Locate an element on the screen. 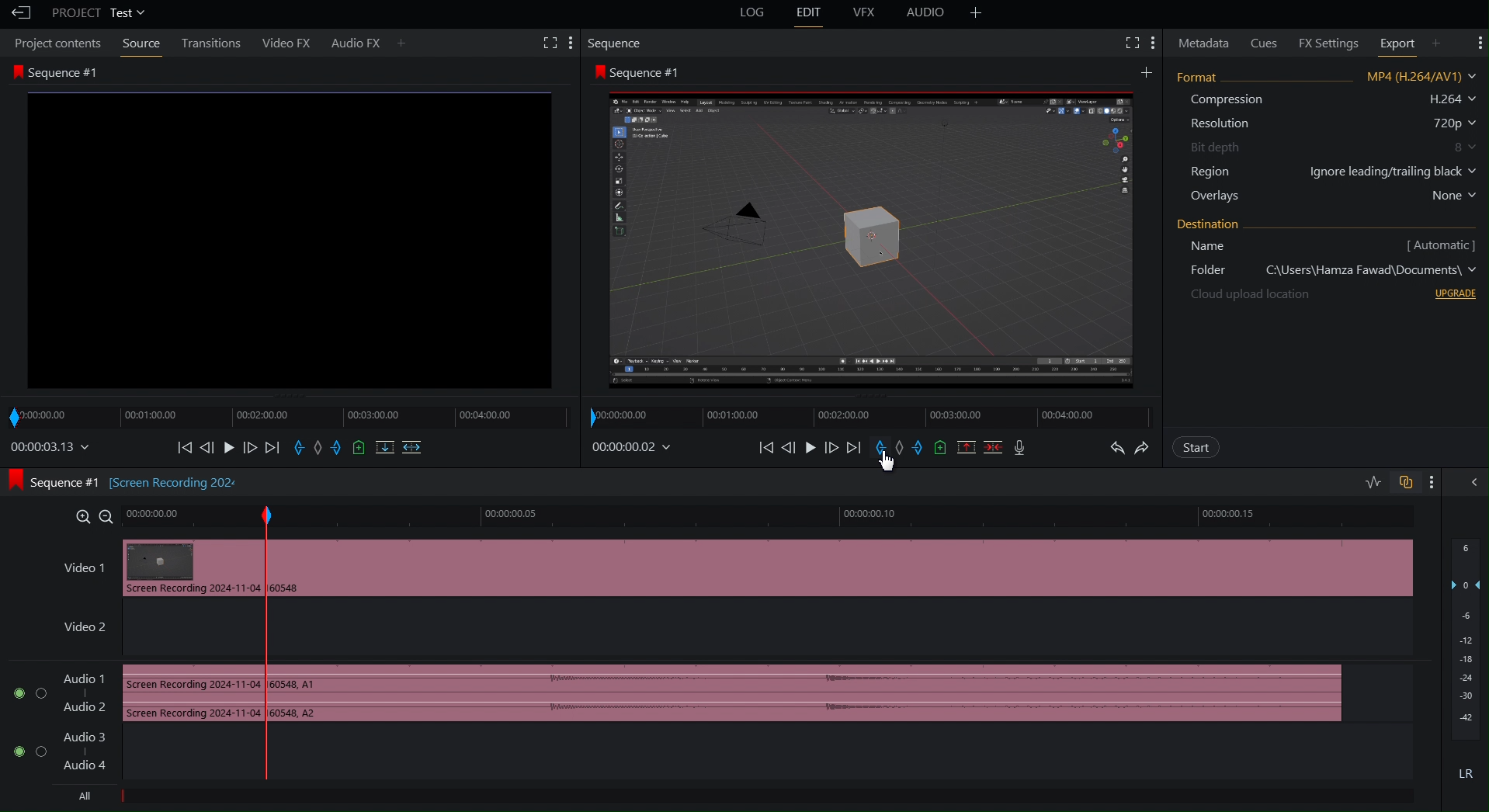 The image size is (1489, 812). Source is located at coordinates (141, 44).